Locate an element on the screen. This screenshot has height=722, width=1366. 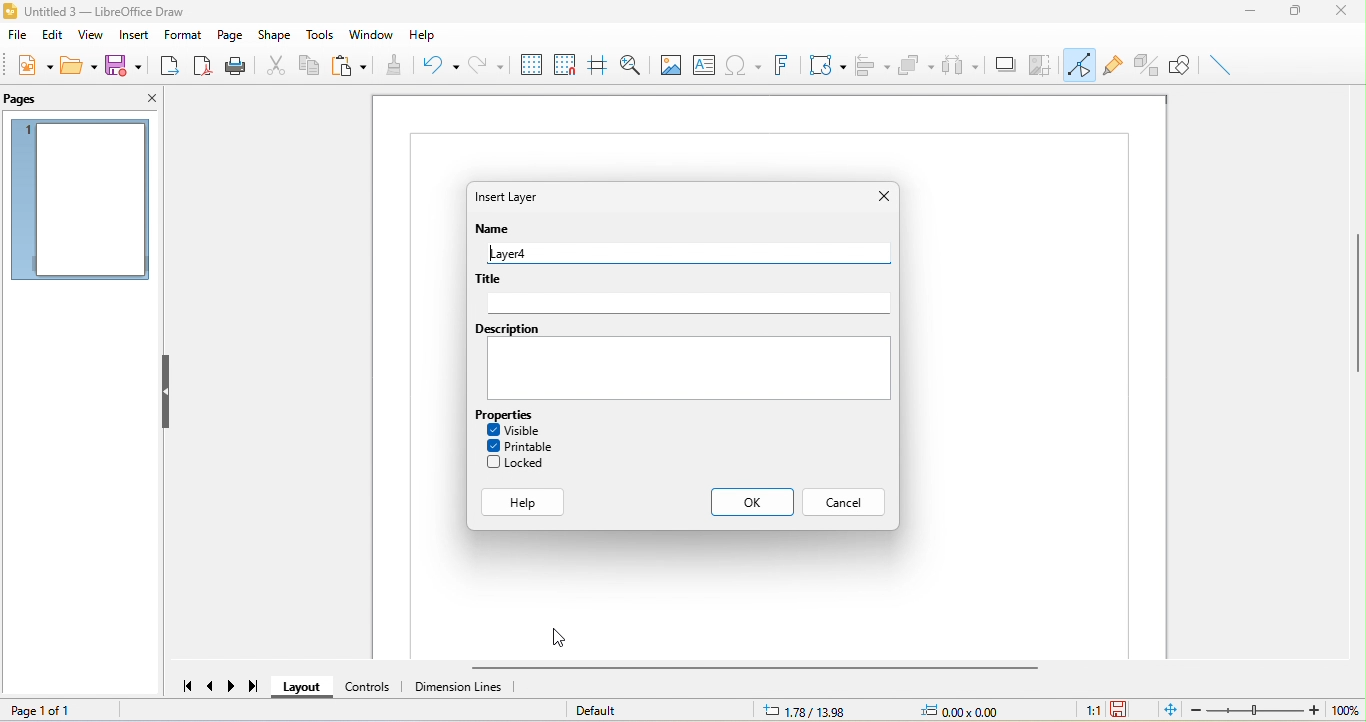
copy is located at coordinates (310, 65).